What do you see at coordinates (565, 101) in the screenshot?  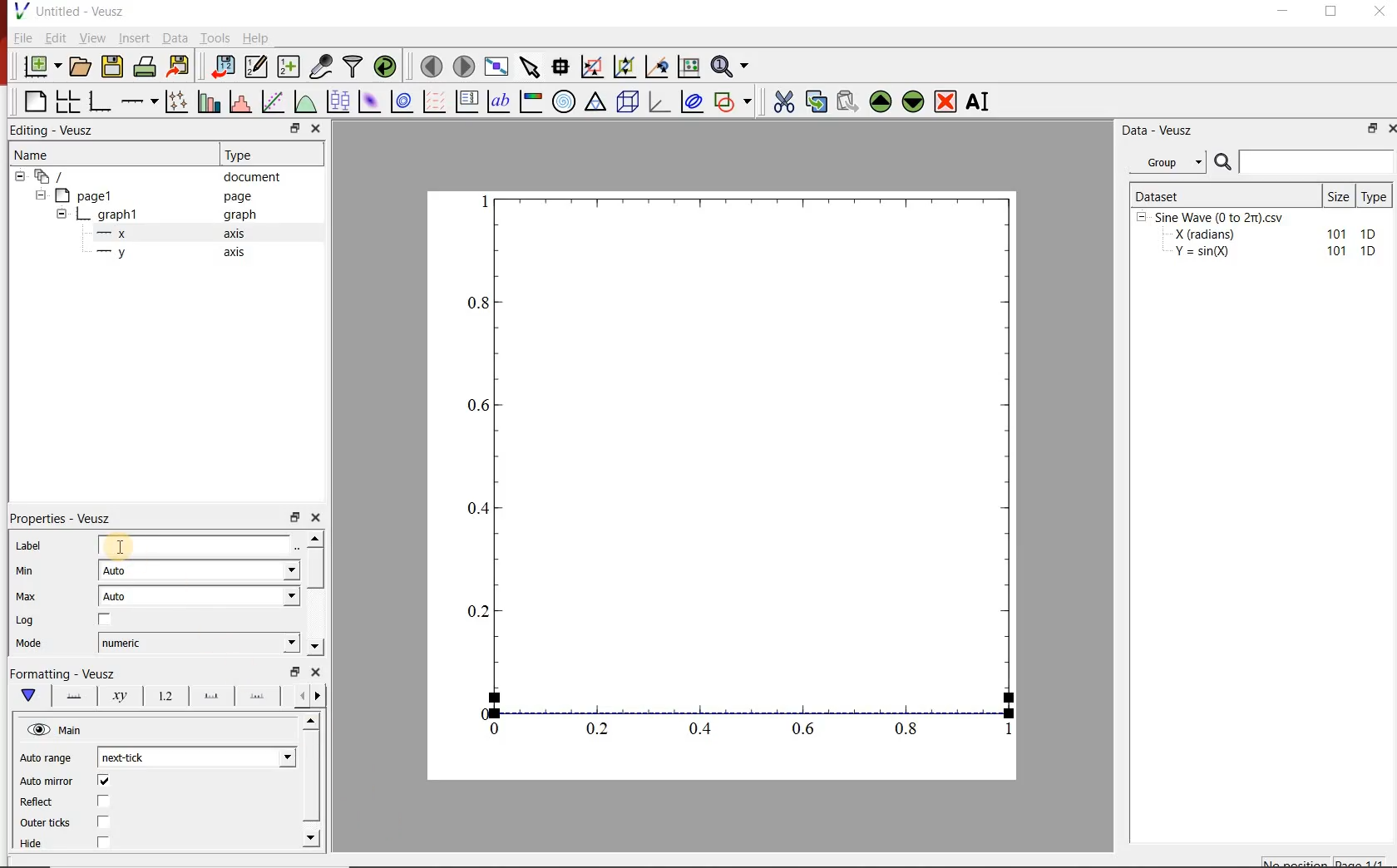 I see `Polar graph` at bounding box center [565, 101].